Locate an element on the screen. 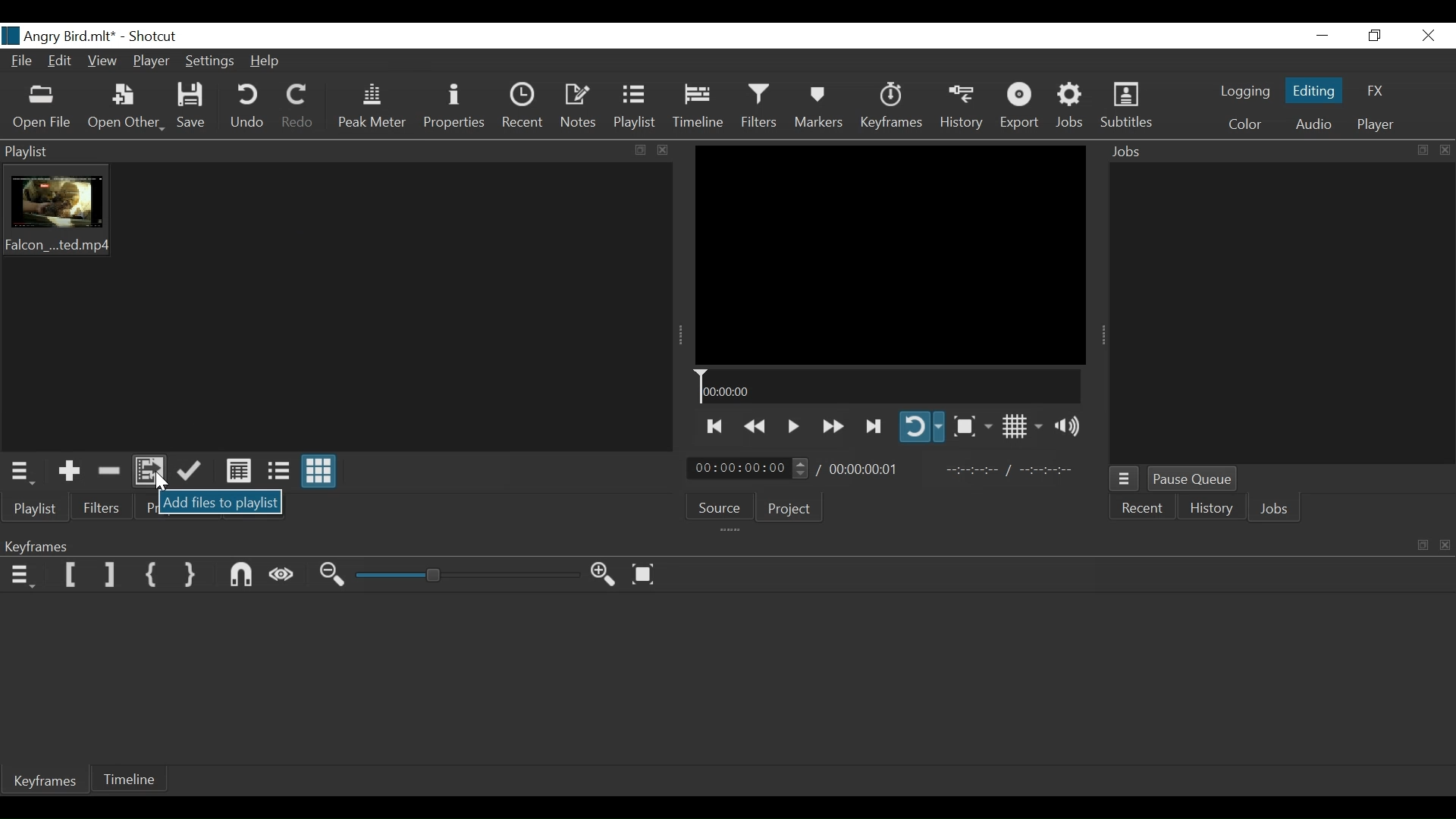  Skip to the previous point is located at coordinates (876, 425).